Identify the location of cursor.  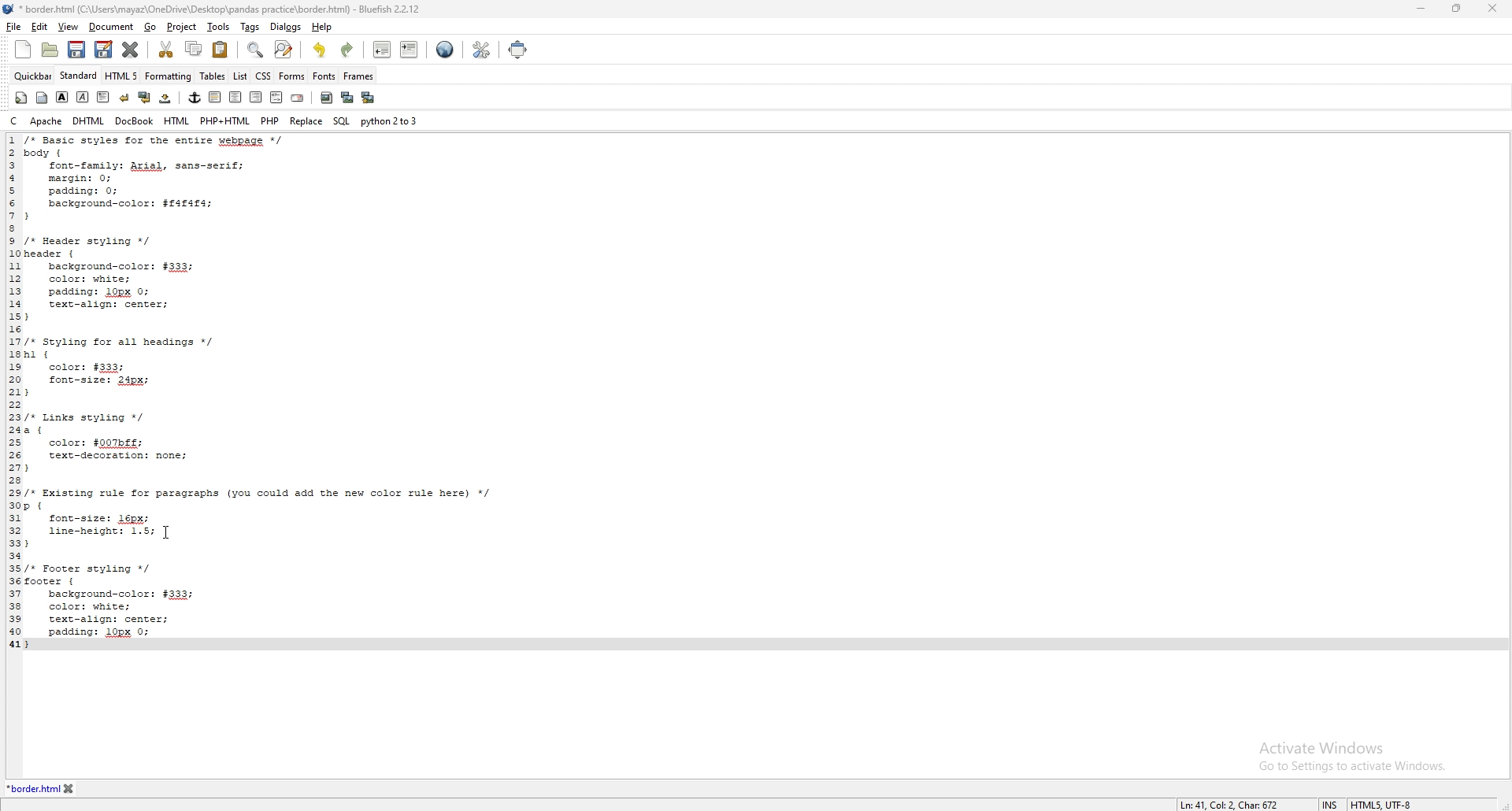
(168, 533).